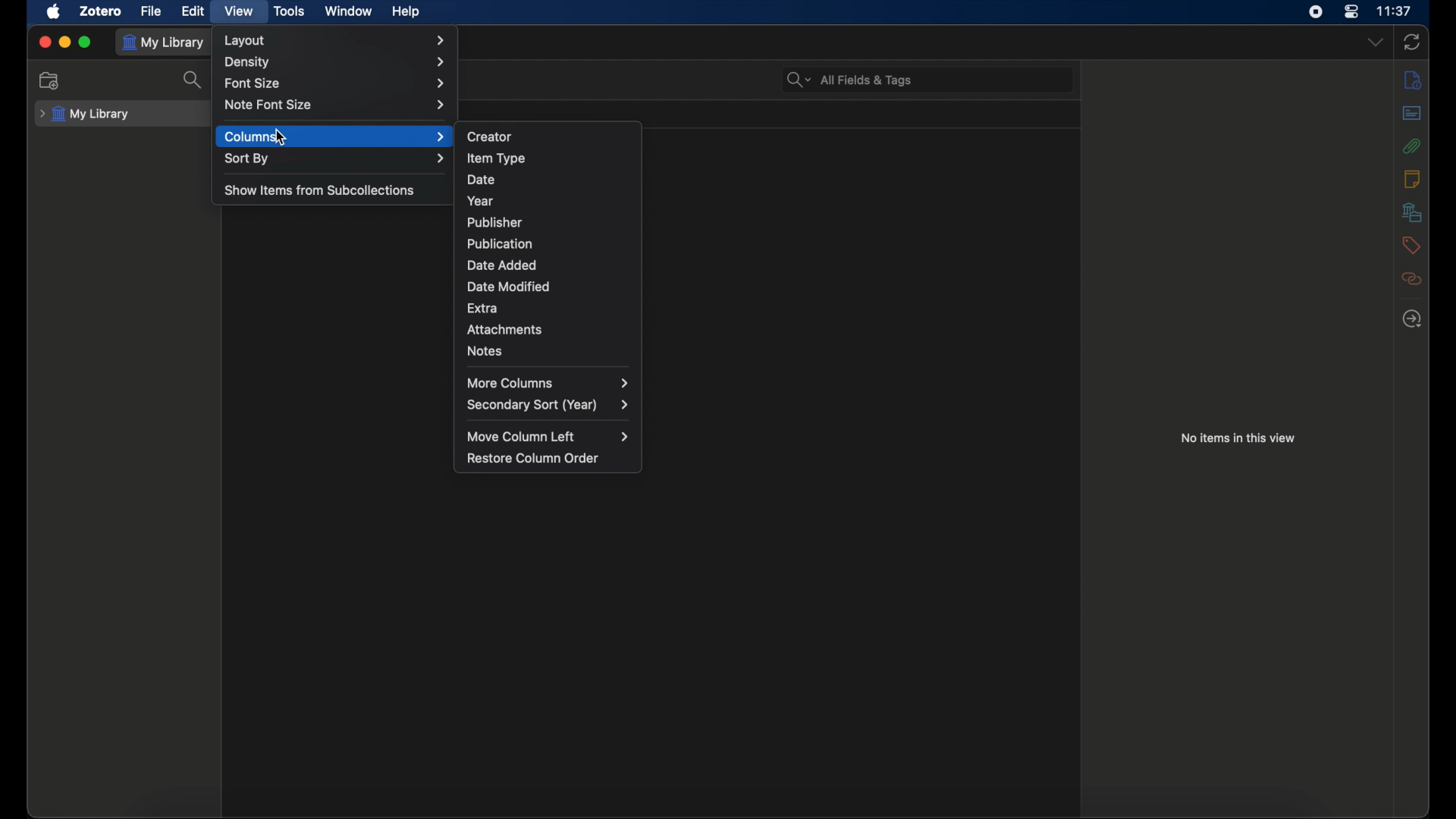  I want to click on maximize, so click(86, 43).